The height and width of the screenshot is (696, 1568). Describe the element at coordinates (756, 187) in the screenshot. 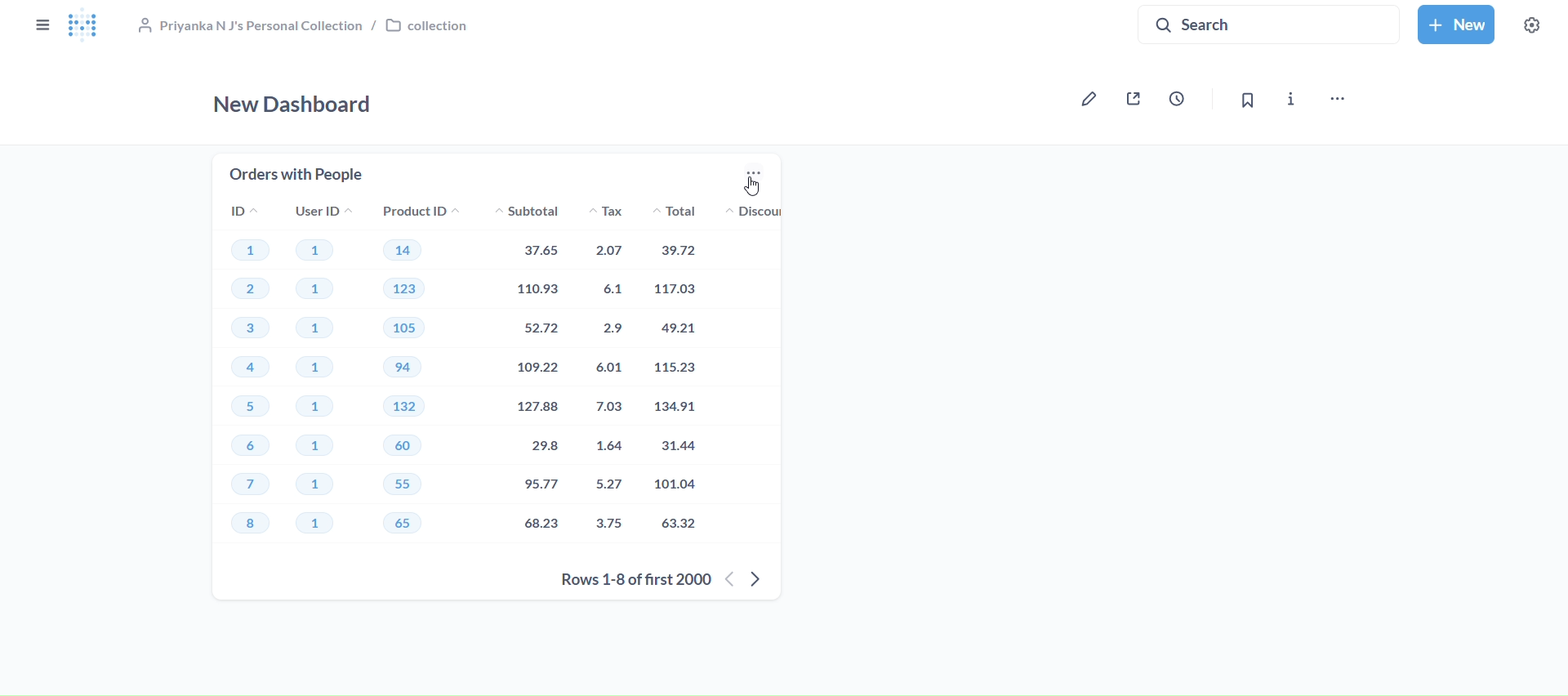

I see `Cursor` at that location.